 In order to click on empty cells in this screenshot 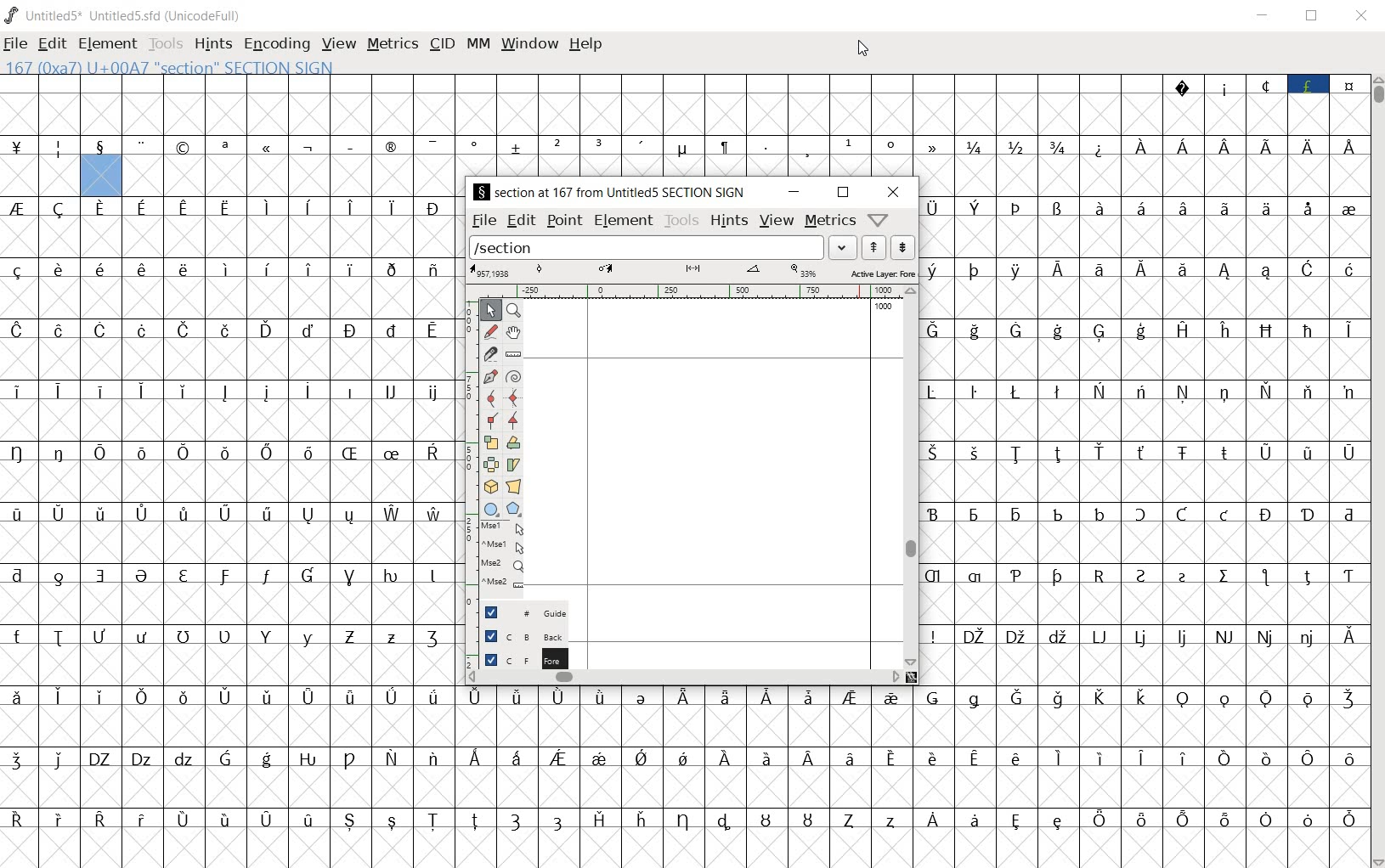, I will do `click(41, 177)`.